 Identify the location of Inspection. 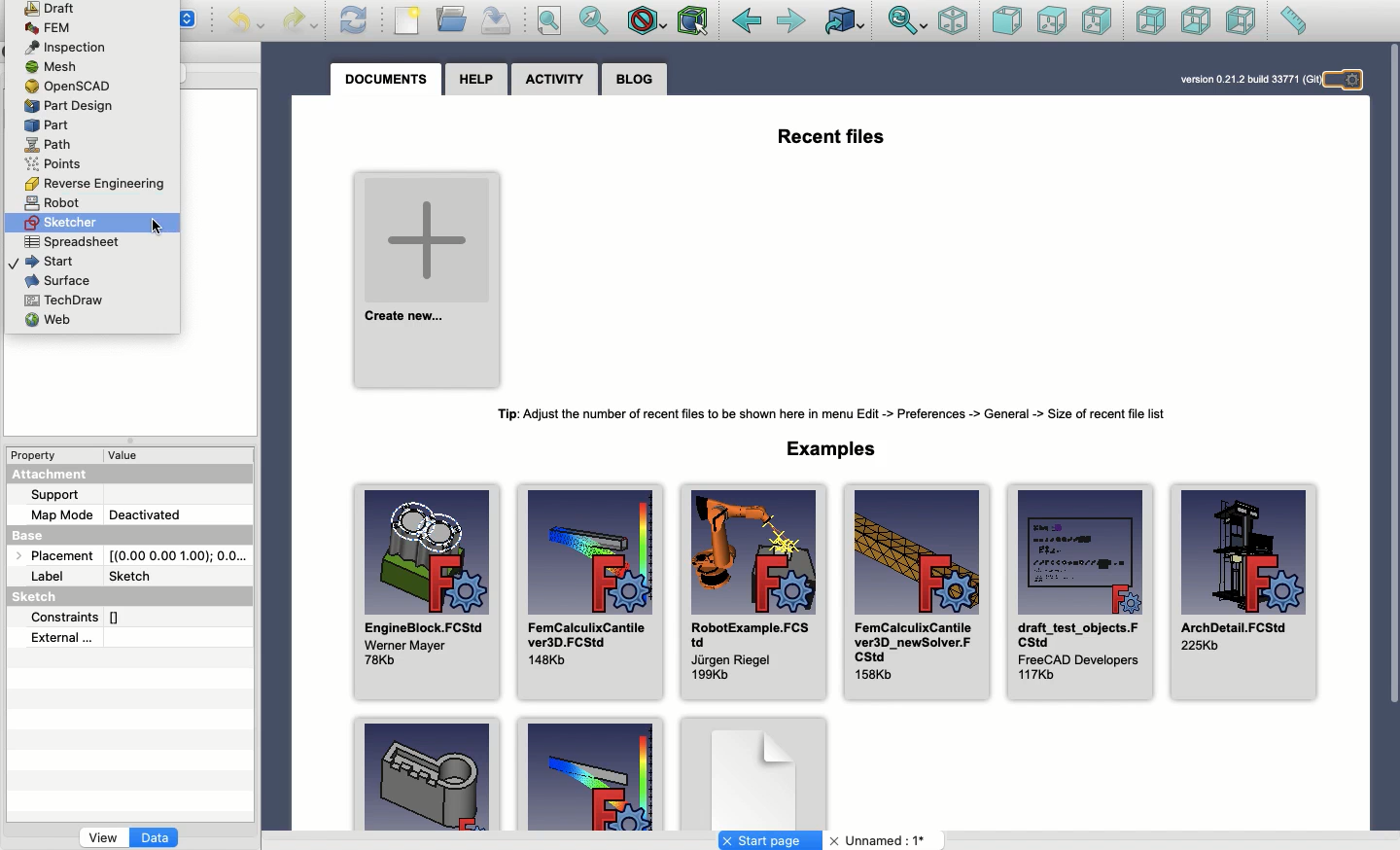
(79, 47).